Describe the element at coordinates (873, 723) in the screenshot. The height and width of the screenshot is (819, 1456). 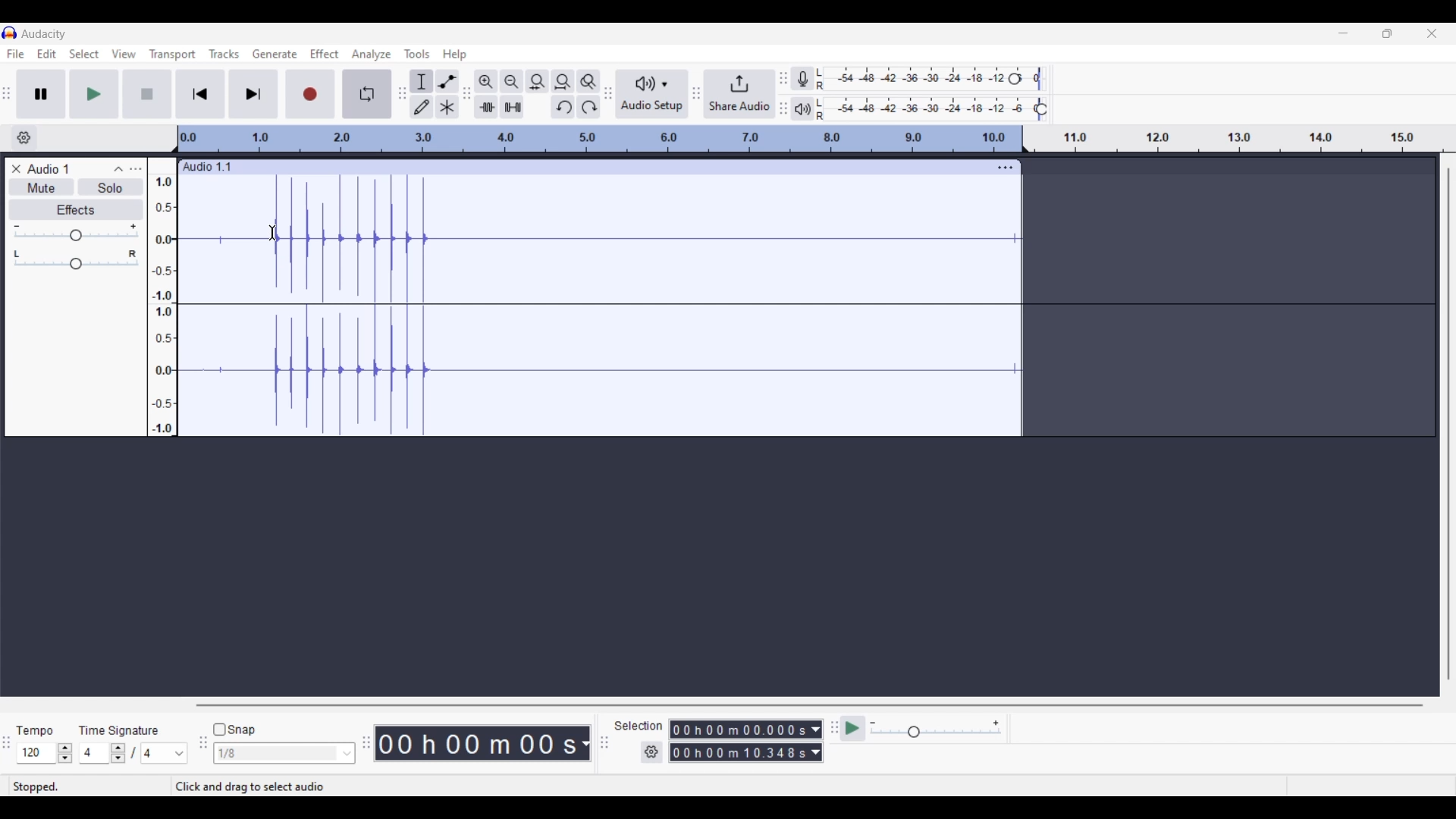
I see `Minimum playback speed` at that location.